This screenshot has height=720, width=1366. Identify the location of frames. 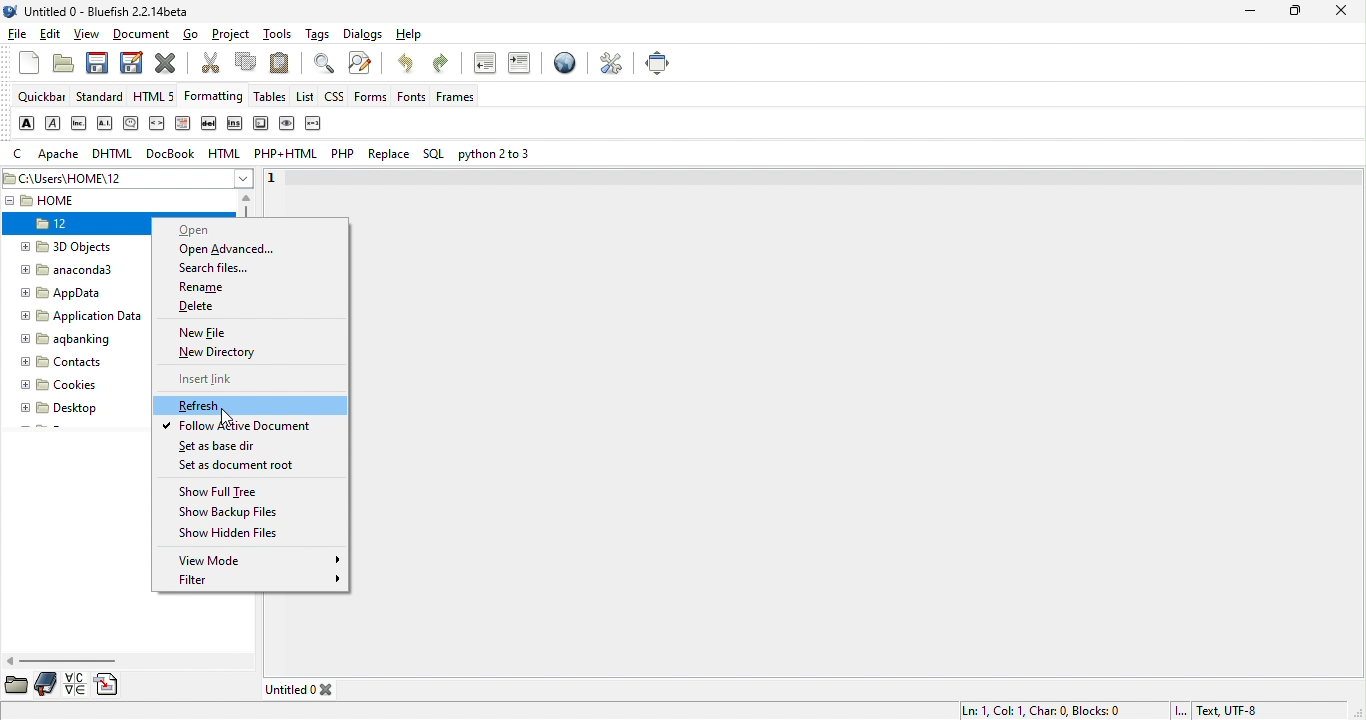
(462, 96).